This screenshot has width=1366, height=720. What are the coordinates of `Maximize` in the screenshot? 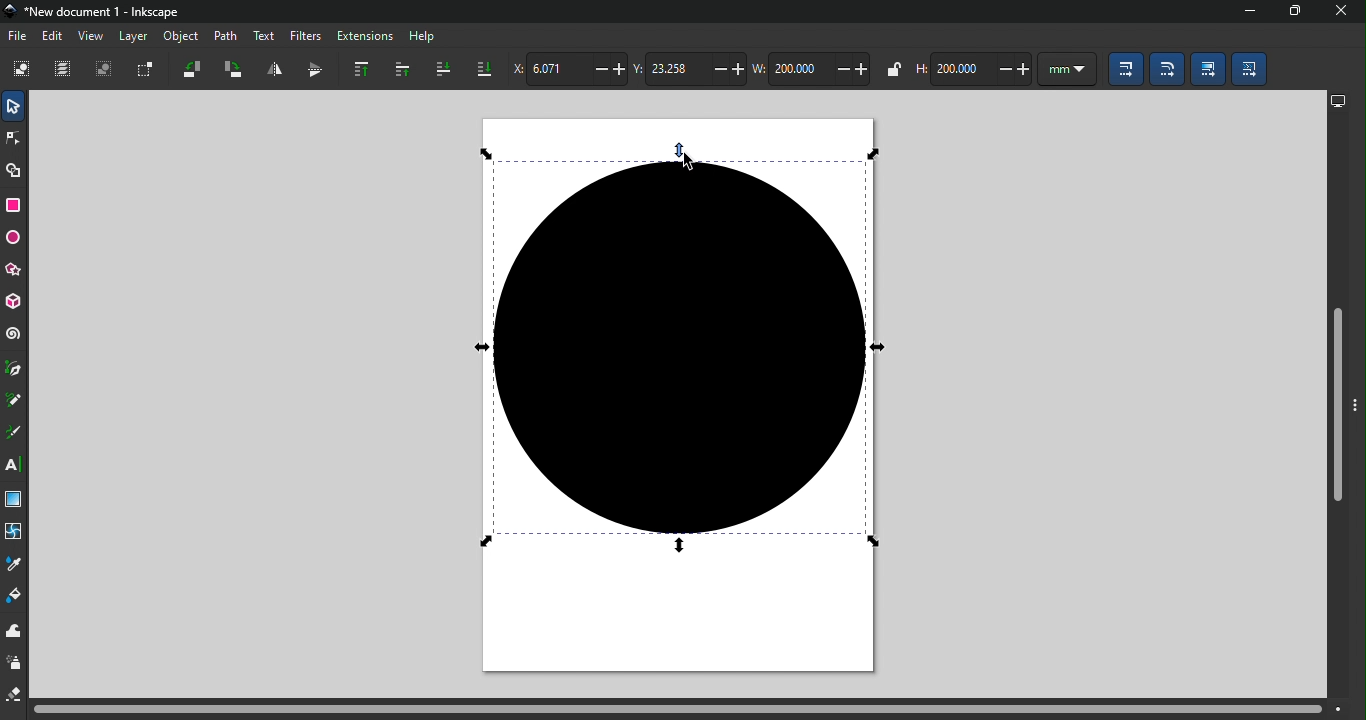 It's located at (1292, 12).